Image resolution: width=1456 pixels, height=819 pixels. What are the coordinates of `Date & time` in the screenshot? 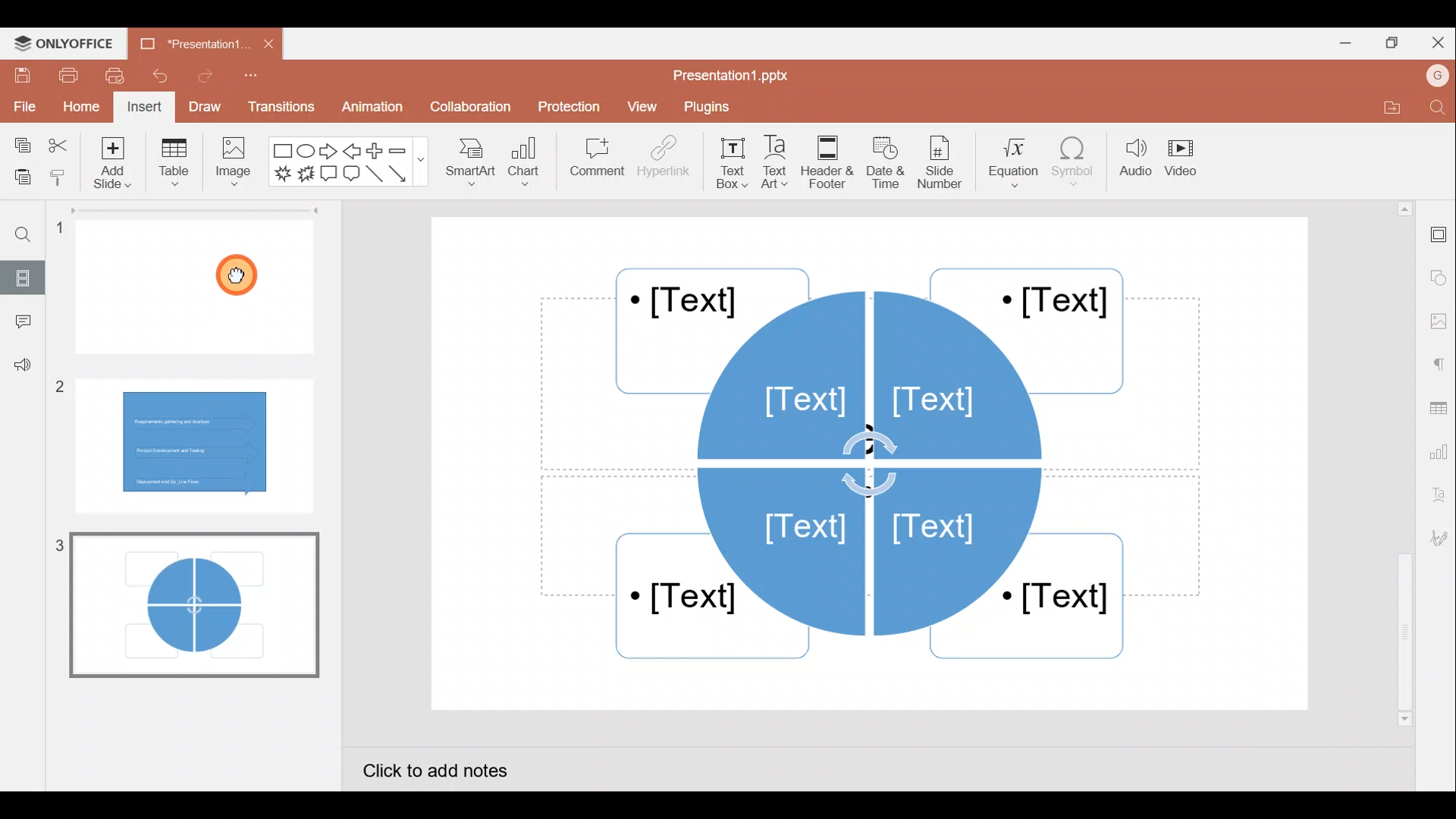 It's located at (889, 162).